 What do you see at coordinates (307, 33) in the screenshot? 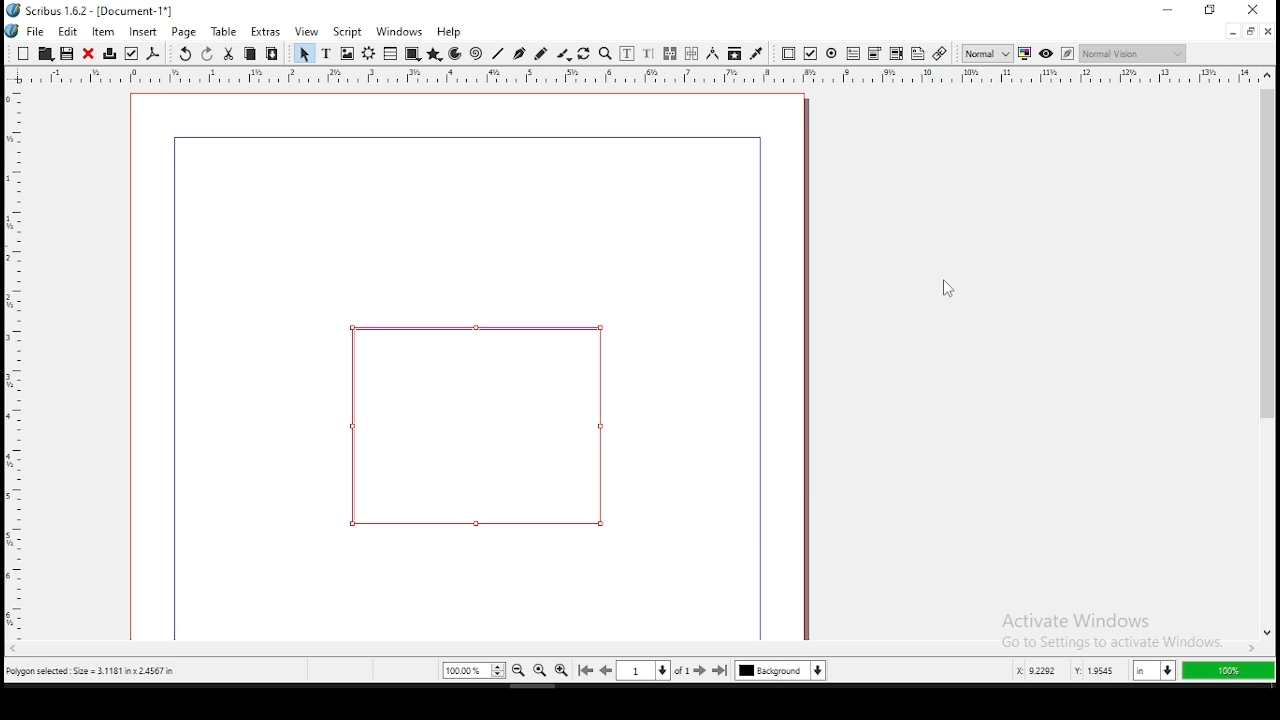
I see `view` at bounding box center [307, 33].